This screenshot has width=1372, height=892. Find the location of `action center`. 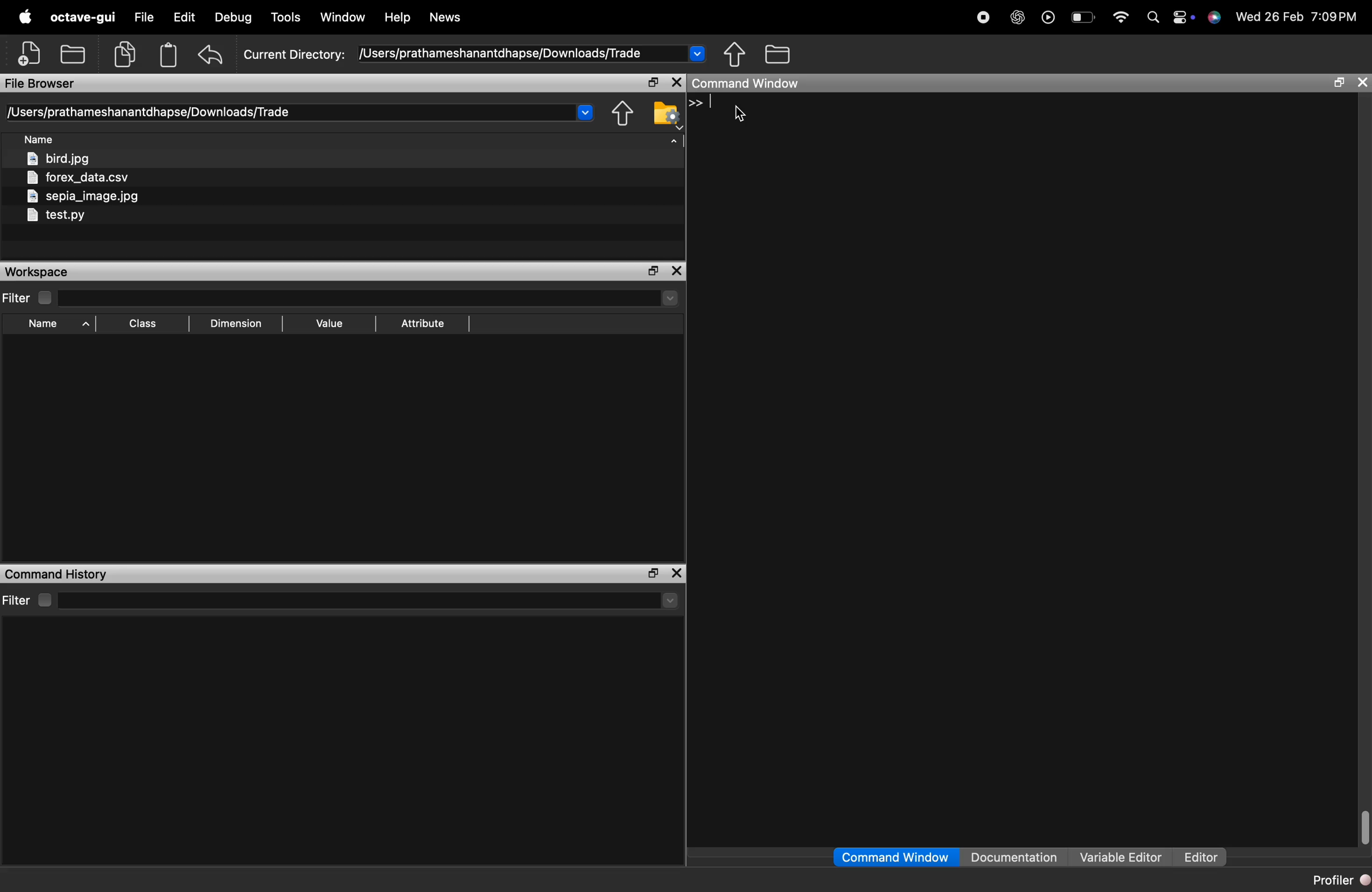

action center is located at coordinates (1186, 19).